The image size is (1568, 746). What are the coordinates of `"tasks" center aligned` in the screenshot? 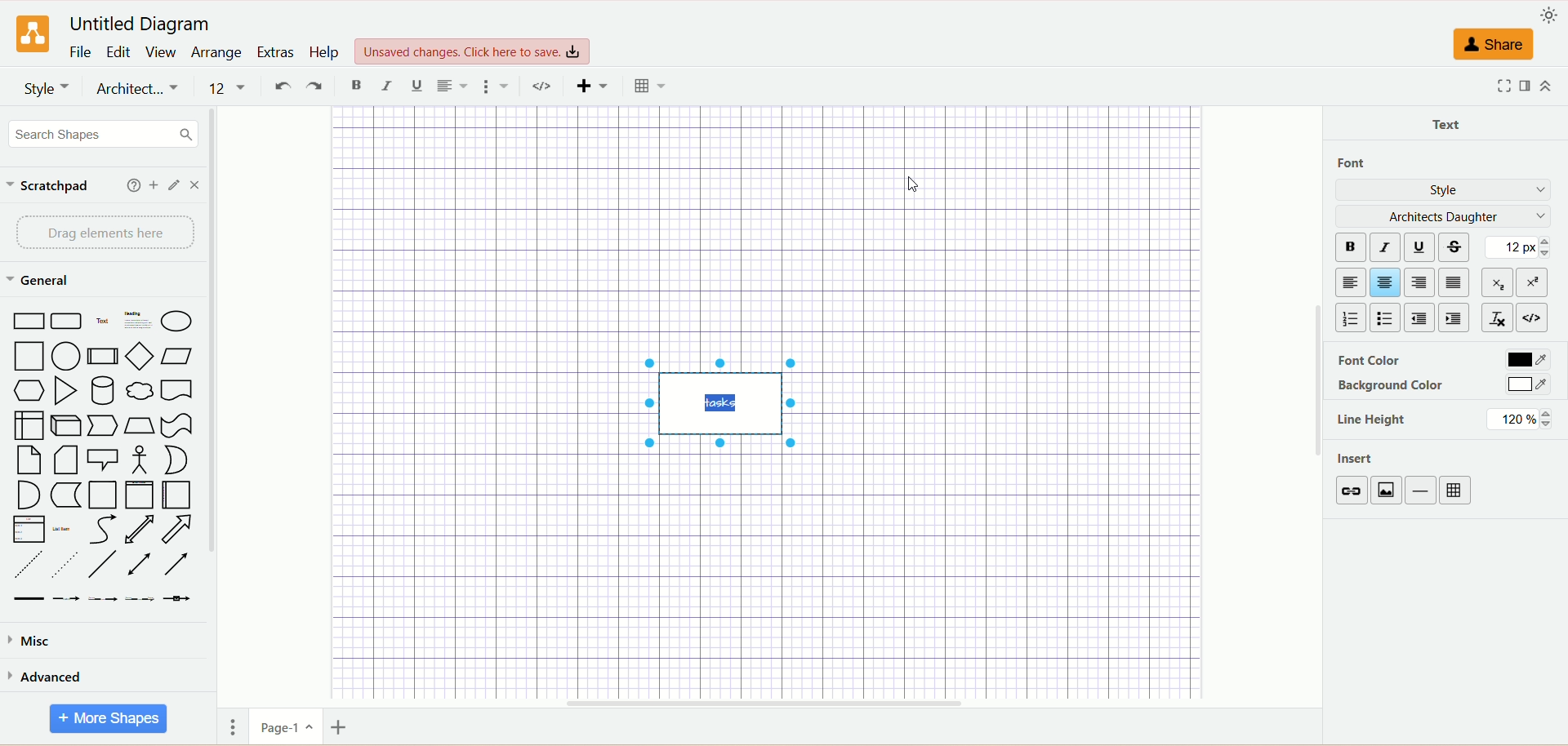 It's located at (719, 403).